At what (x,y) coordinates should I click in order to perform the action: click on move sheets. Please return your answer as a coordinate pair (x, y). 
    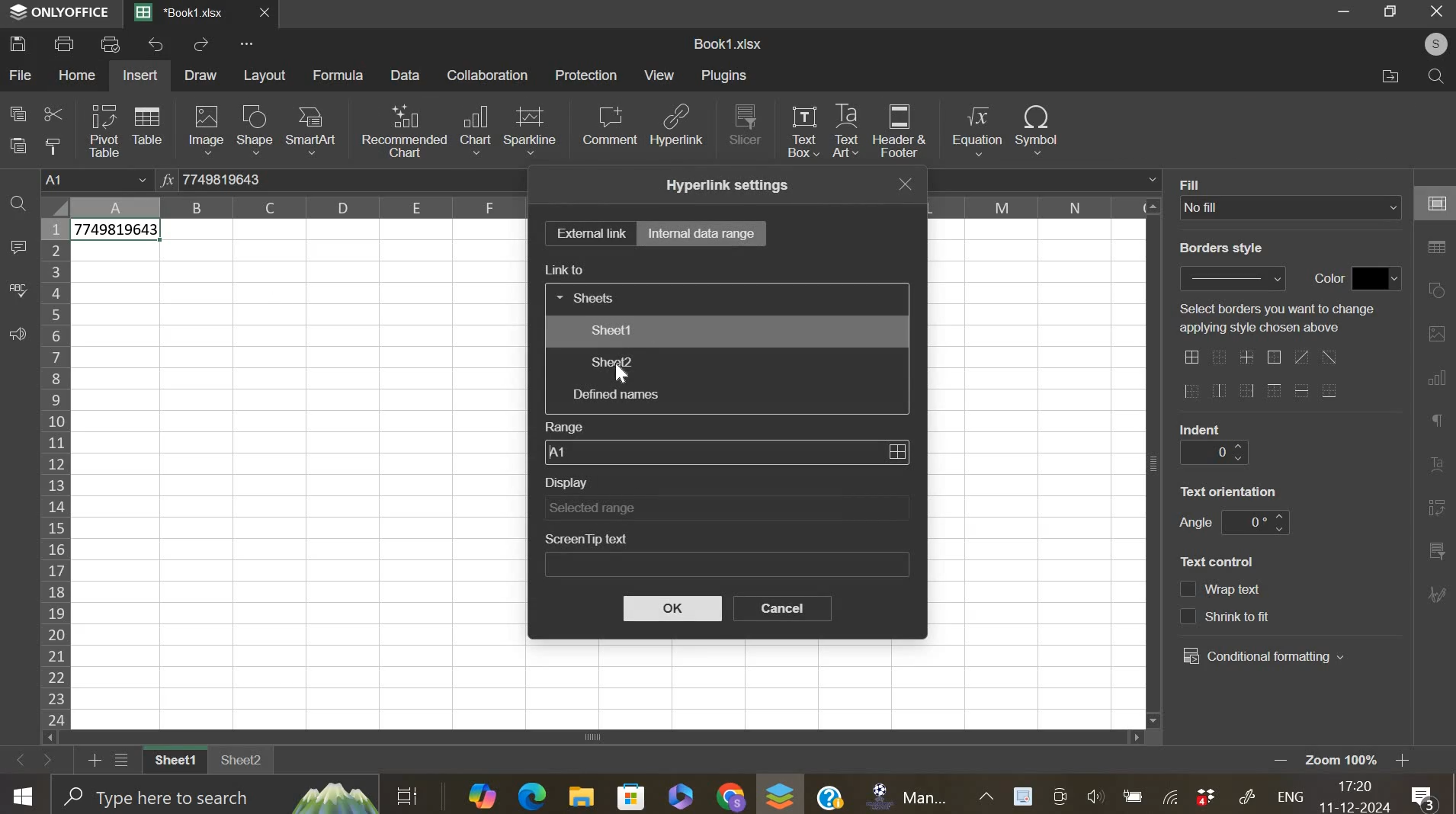
    Looking at the image, I should click on (36, 759).